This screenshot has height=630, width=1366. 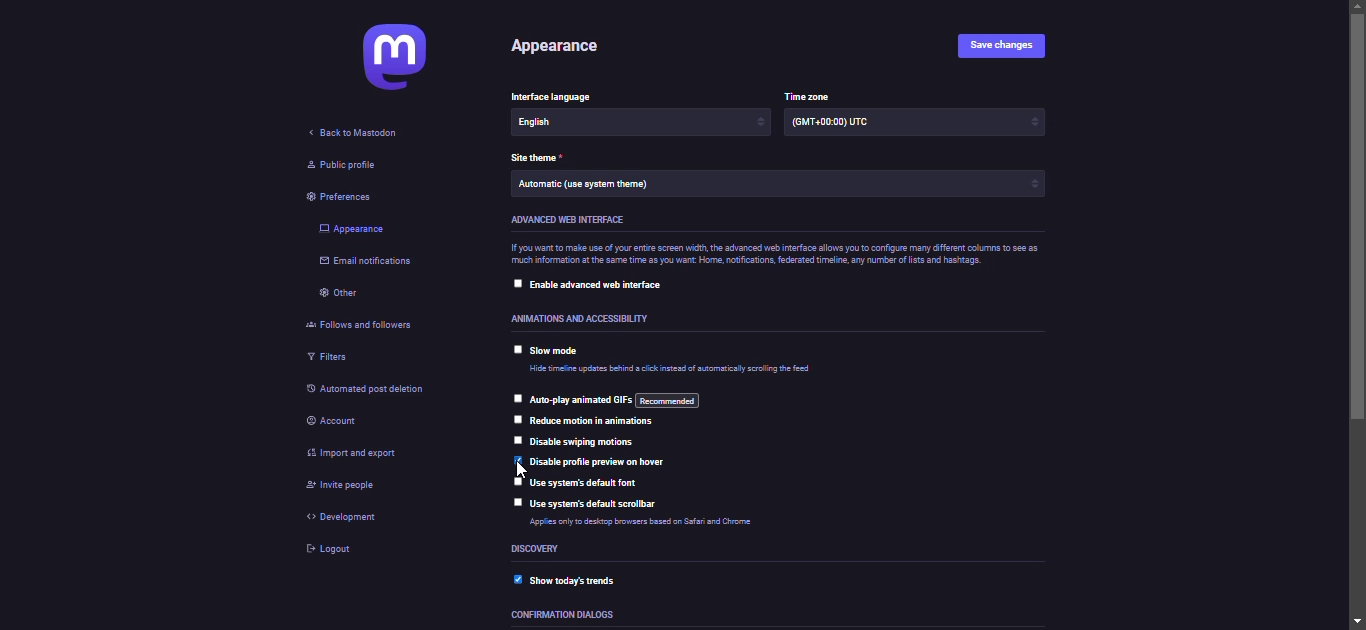 I want to click on enabled, so click(x=517, y=458).